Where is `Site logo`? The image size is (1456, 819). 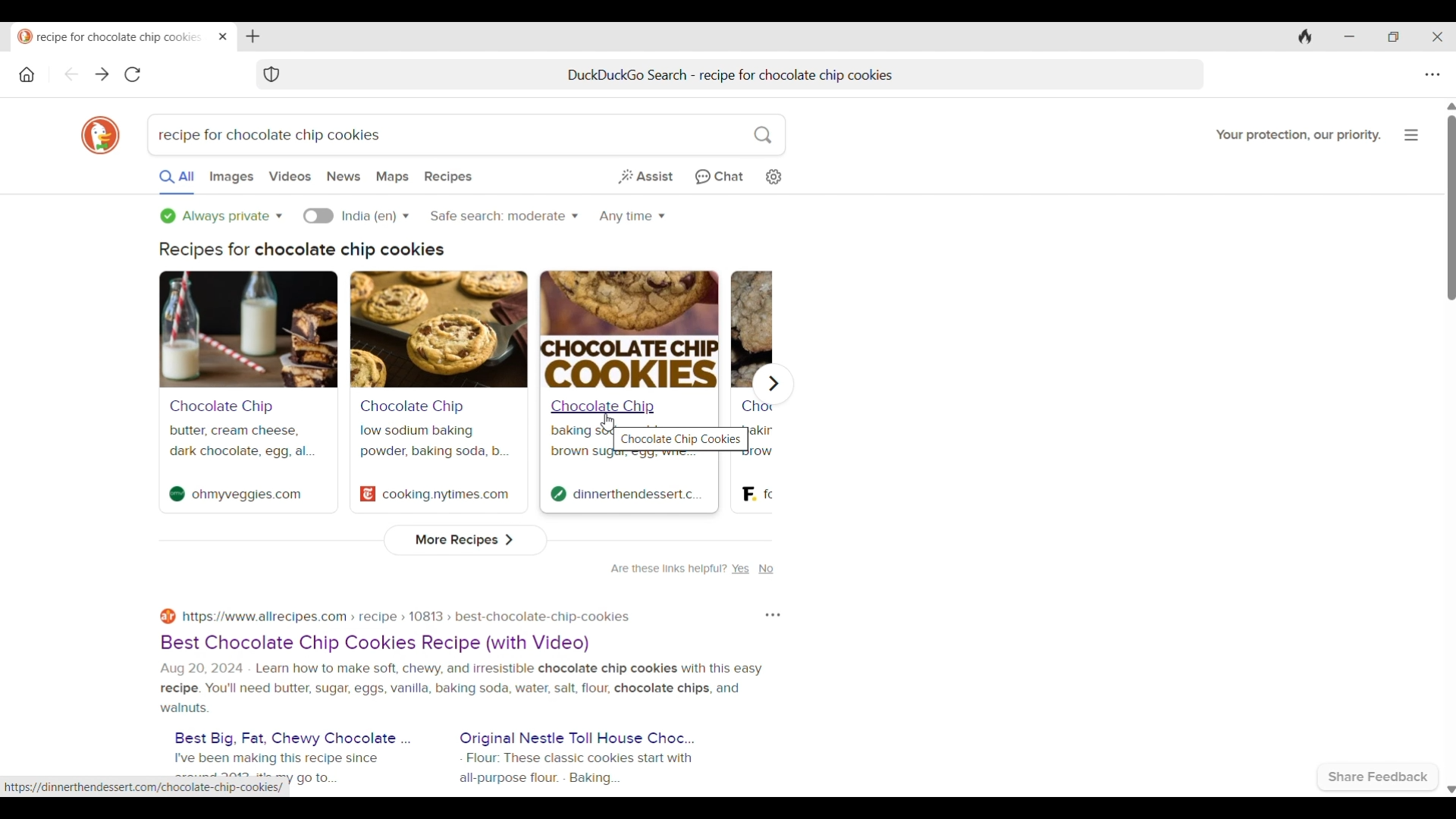
Site logo is located at coordinates (749, 494).